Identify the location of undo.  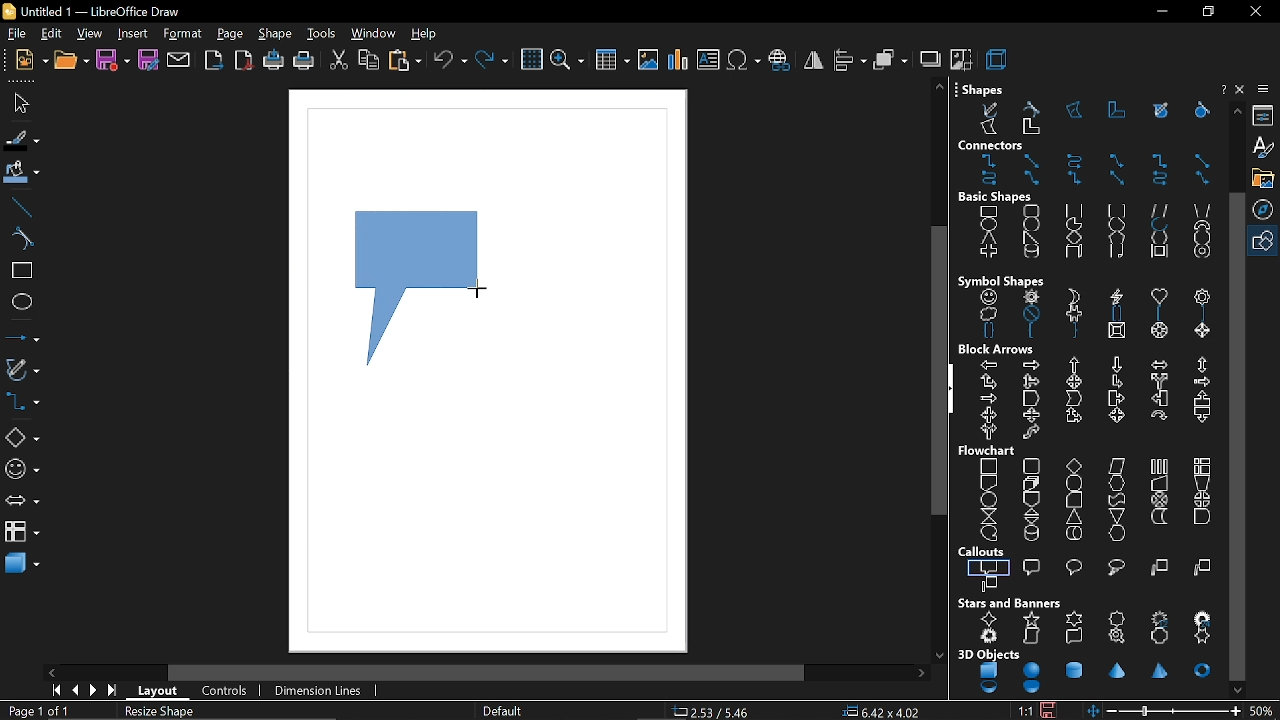
(450, 61).